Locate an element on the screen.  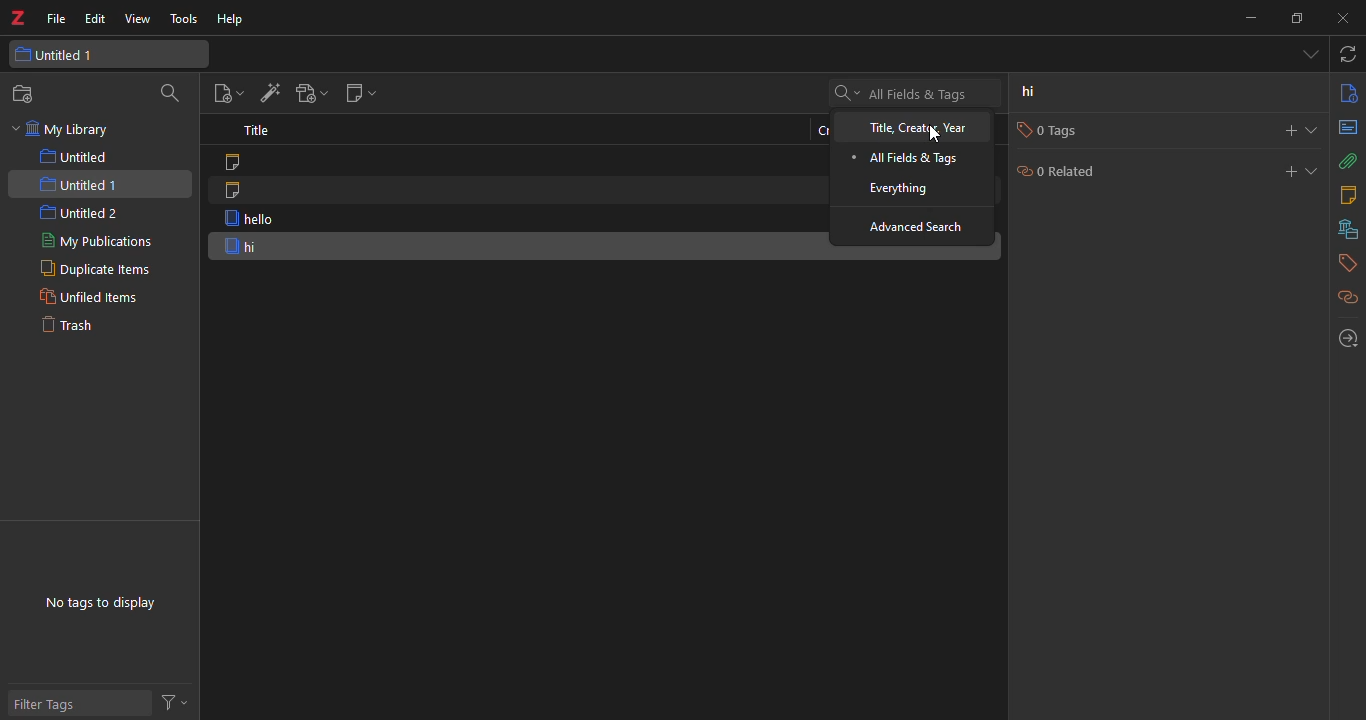
0 related is located at coordinates (1061, 170).